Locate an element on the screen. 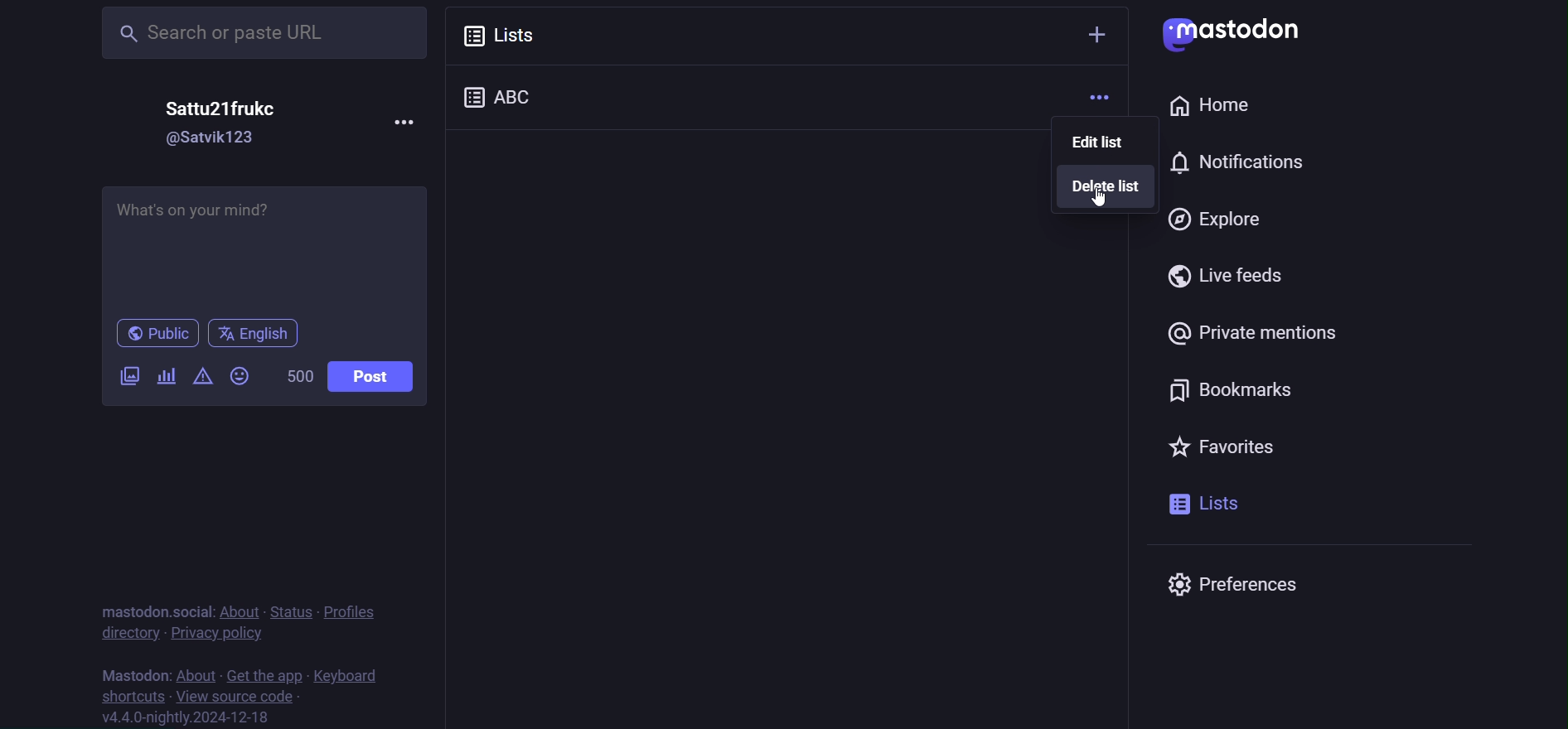 This screenshot has width=1568, height=729. english is located at coordinates (254, 331).